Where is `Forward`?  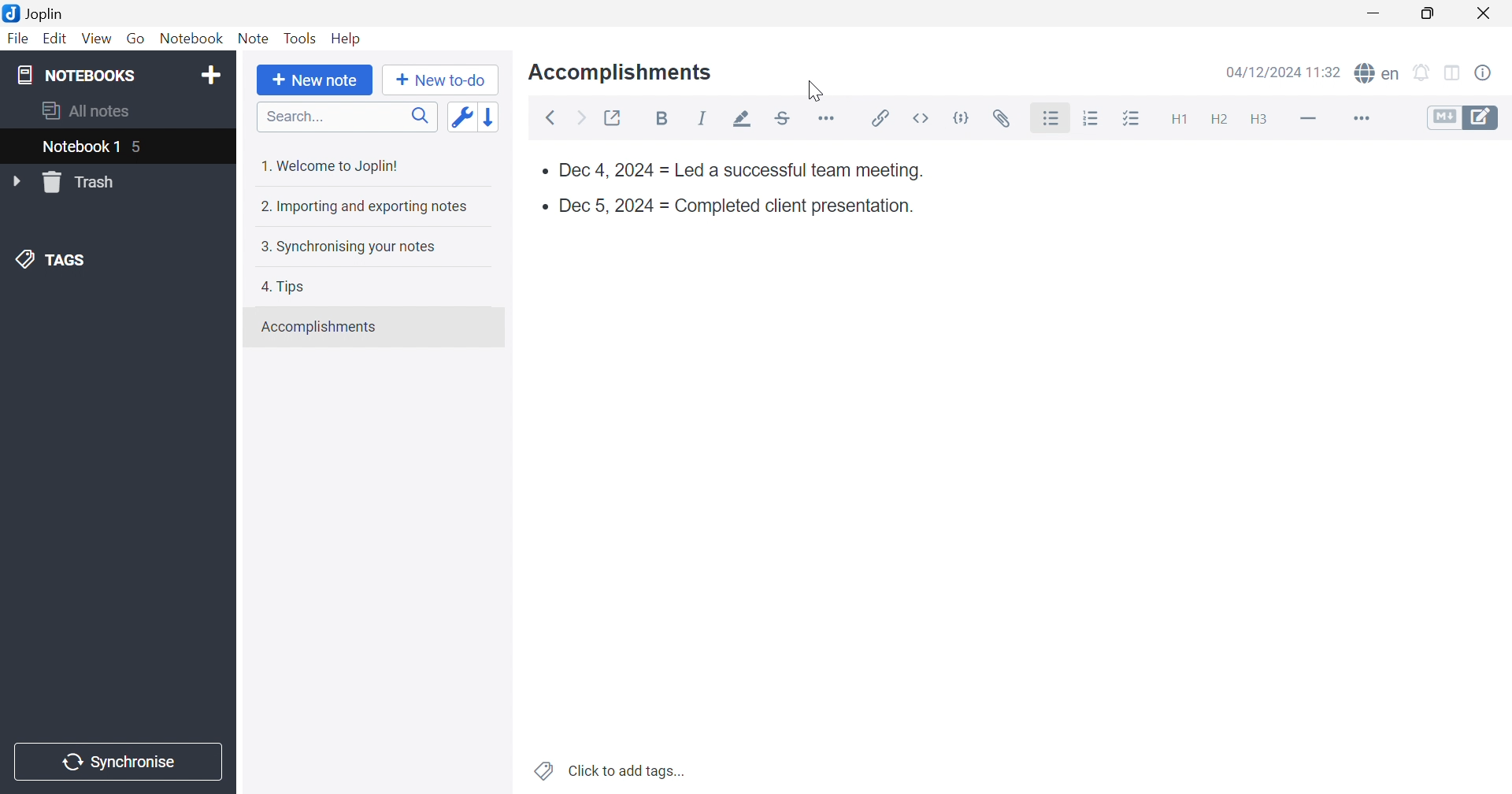
Forward is located at coordinates (580, 117).